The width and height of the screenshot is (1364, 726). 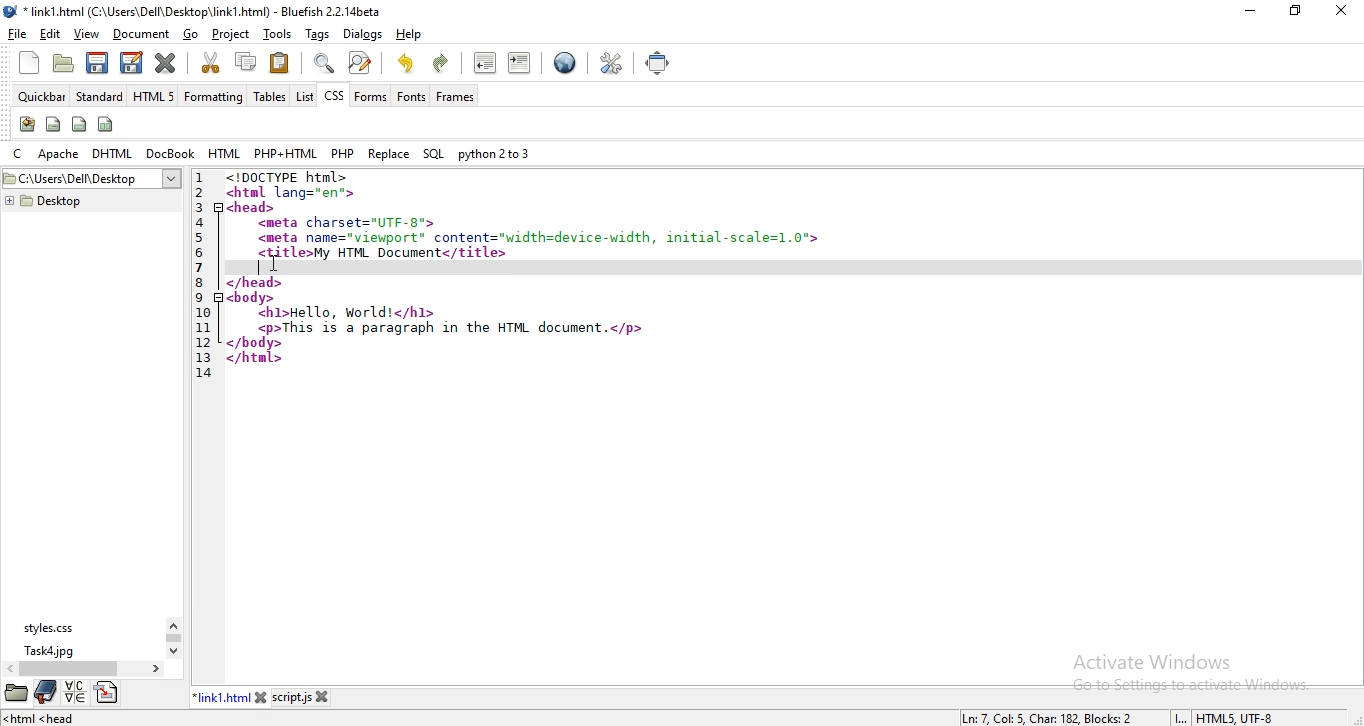 I want to click on 12, so click(x=203, y=344).